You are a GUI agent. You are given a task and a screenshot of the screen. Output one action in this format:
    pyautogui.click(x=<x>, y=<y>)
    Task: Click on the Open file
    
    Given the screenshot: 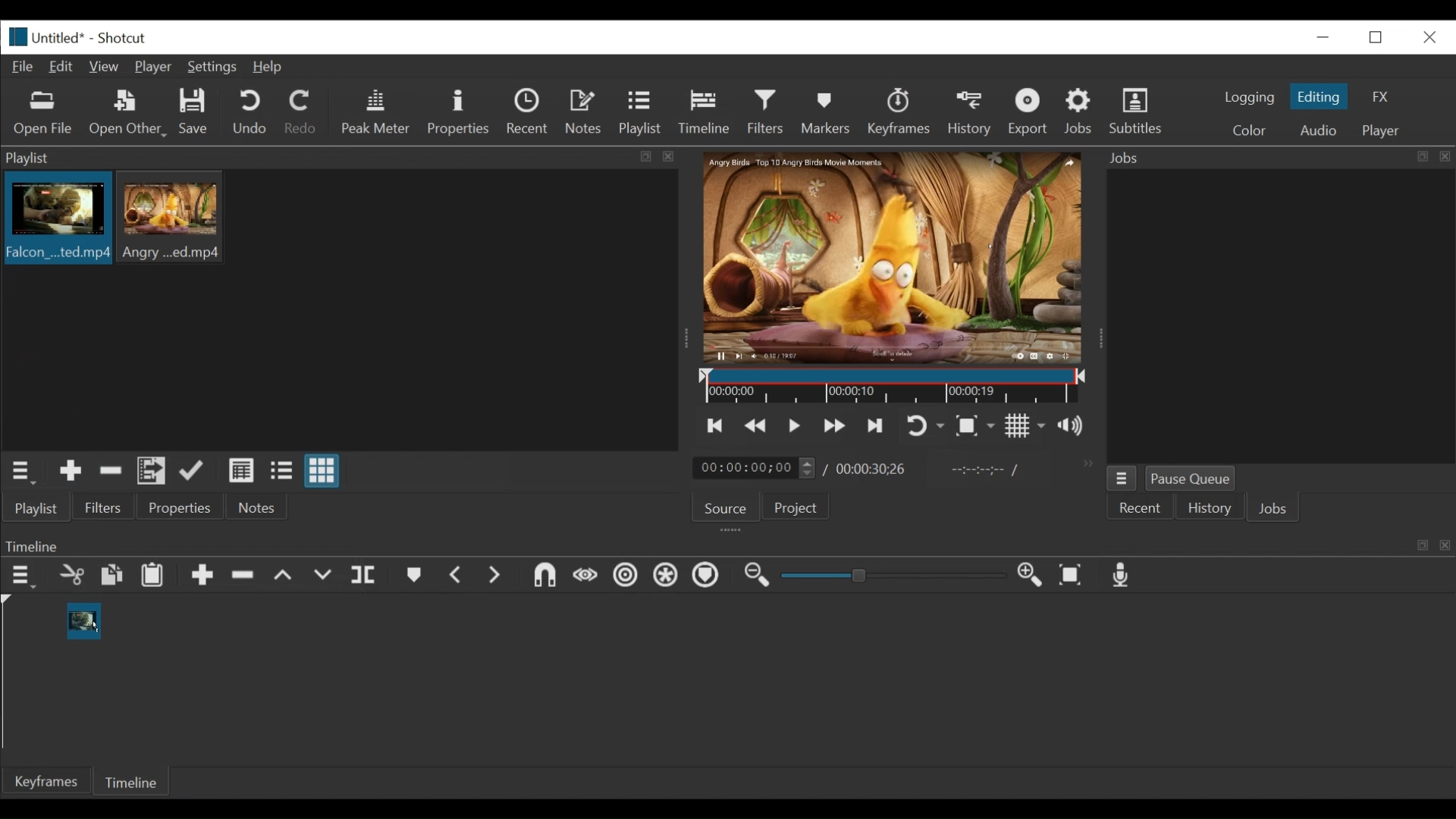 What is the action you would take?
    pyautogui.click(x=43, y=114)
    